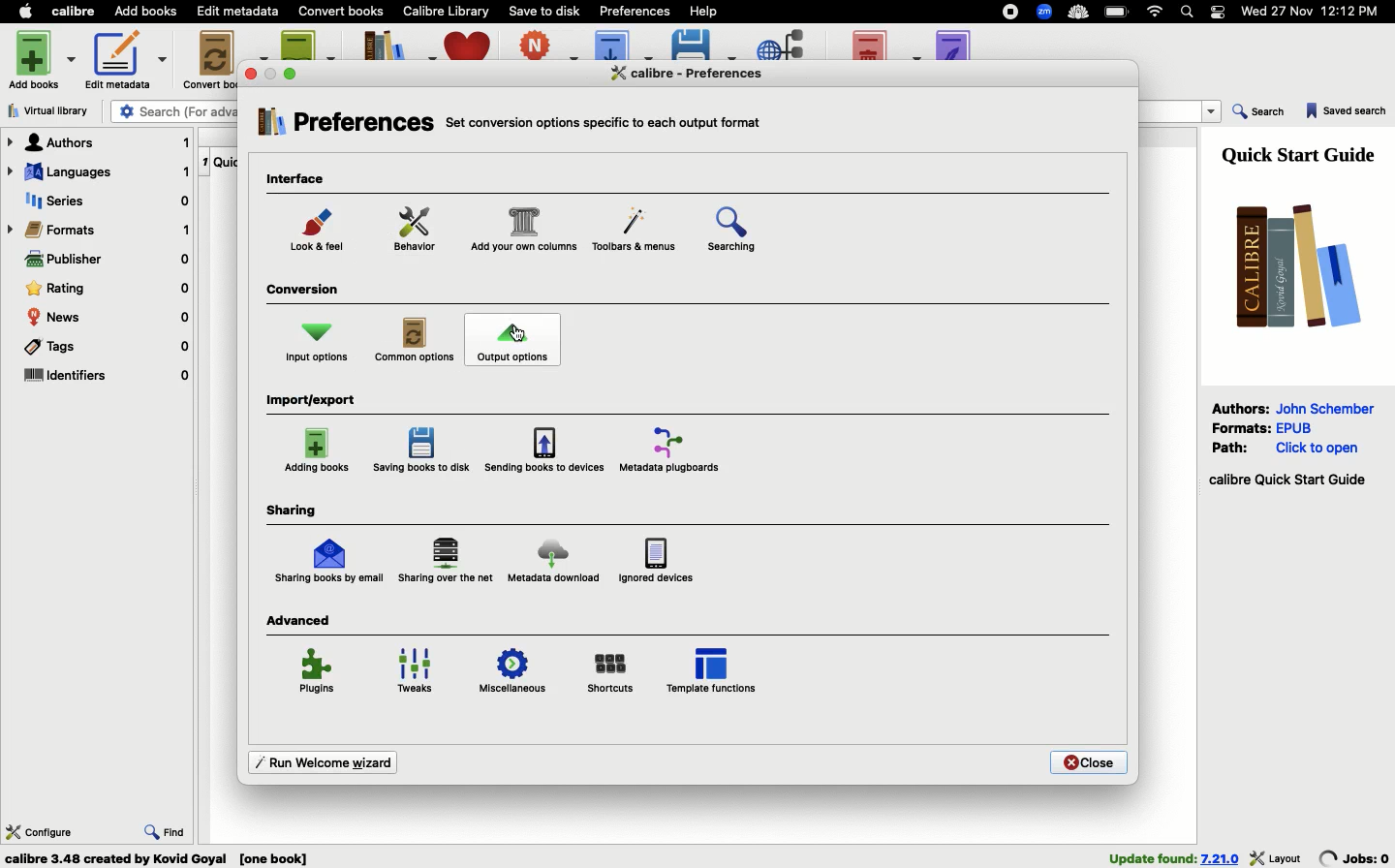 The image size is (1395, 868). What do you see at coordinates (319, 674) in the screenshot?
I see `Plugins` at bounding box center [319, 674].